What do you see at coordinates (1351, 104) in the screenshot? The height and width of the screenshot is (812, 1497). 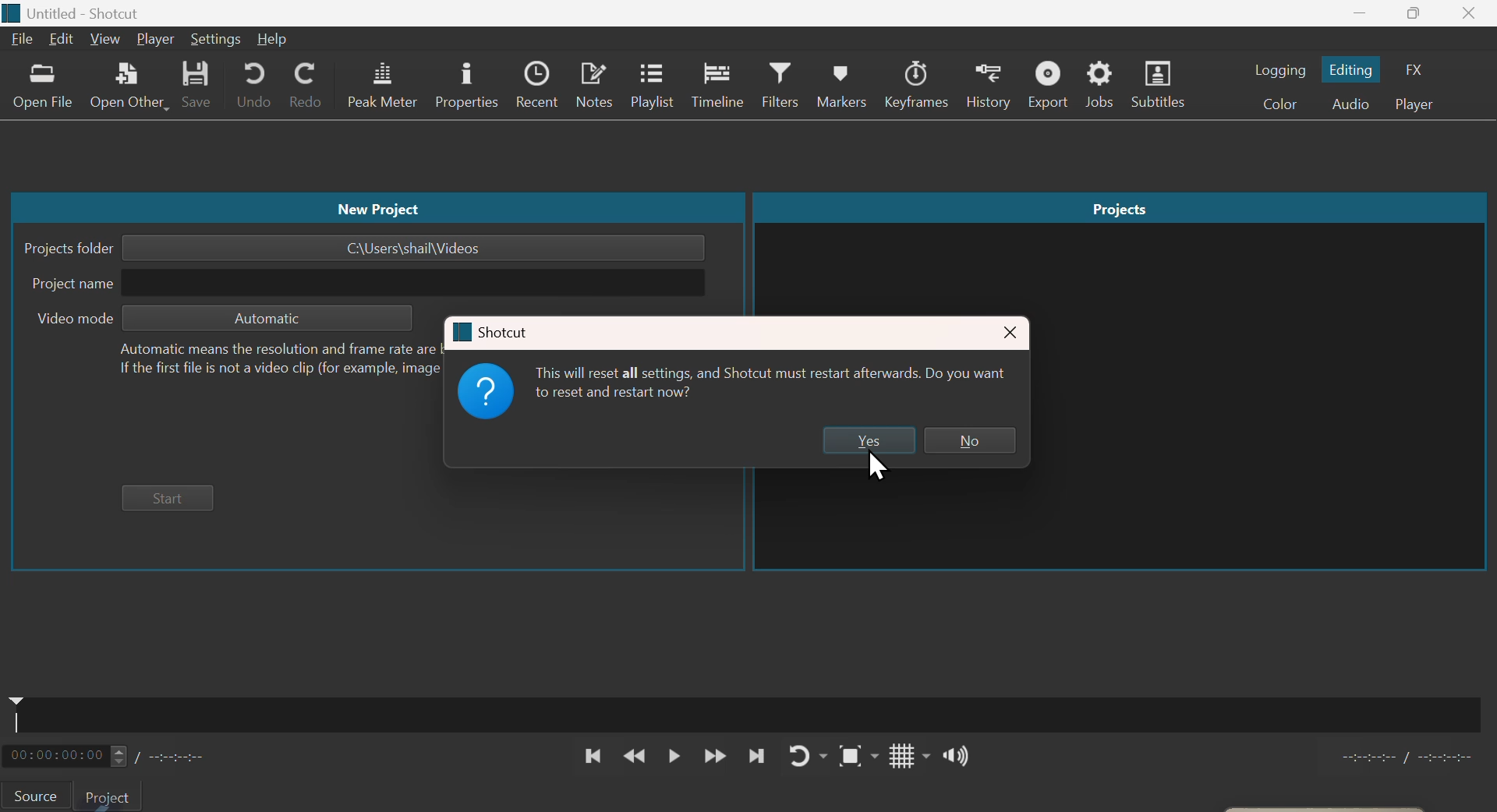 I see `Audio` at bounding box center [1351, 104].